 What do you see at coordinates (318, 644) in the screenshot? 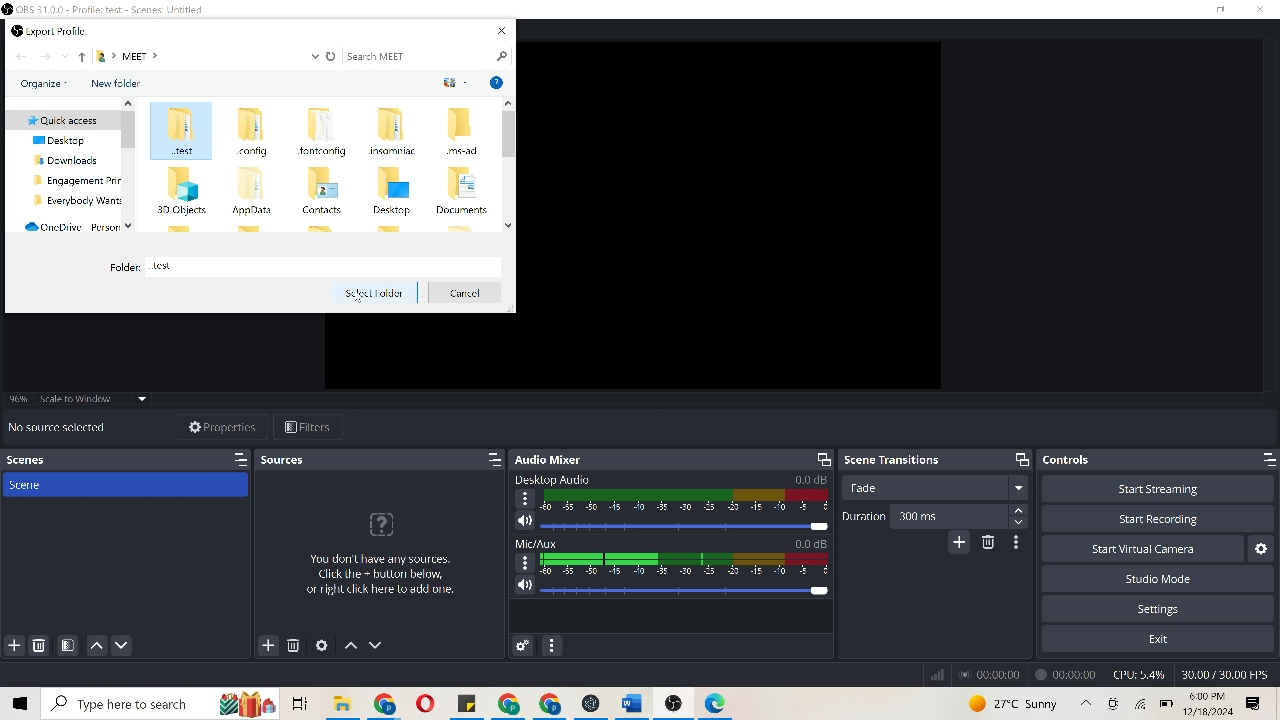
I see `open source properties` at bounding box center [318, 644].